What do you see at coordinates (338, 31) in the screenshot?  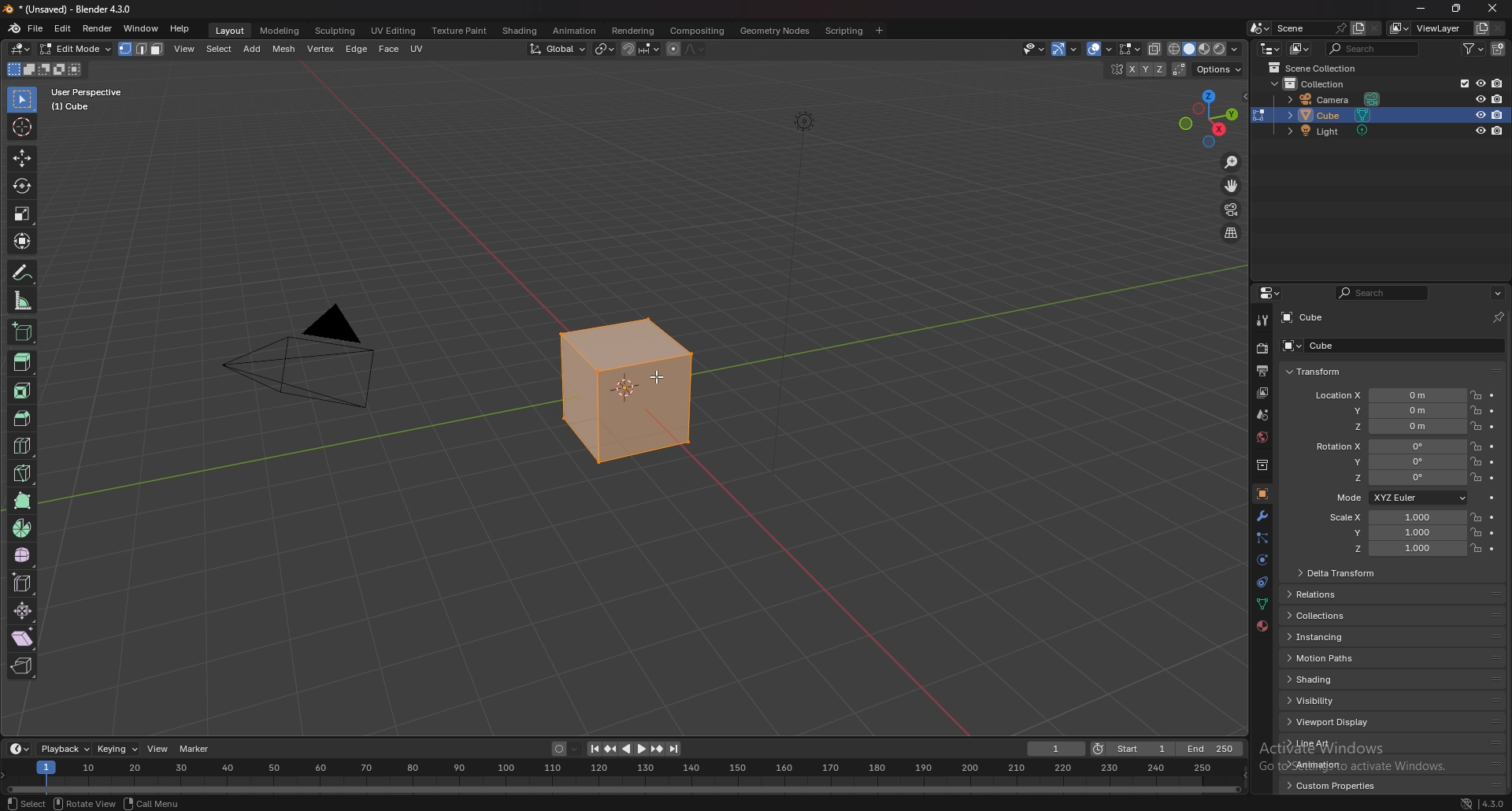 I see `sculpting` at bounding box center [338, 31].